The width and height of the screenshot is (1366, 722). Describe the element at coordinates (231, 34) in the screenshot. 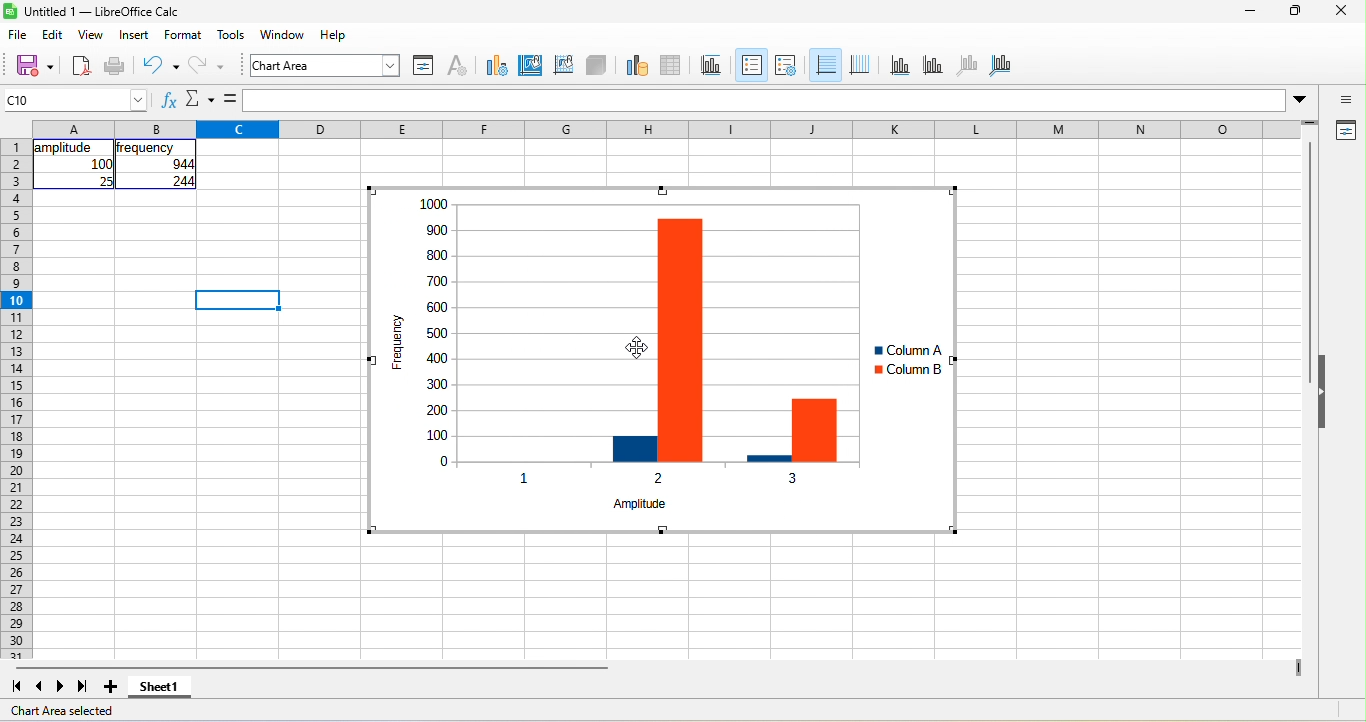

I see `tools` at that location.